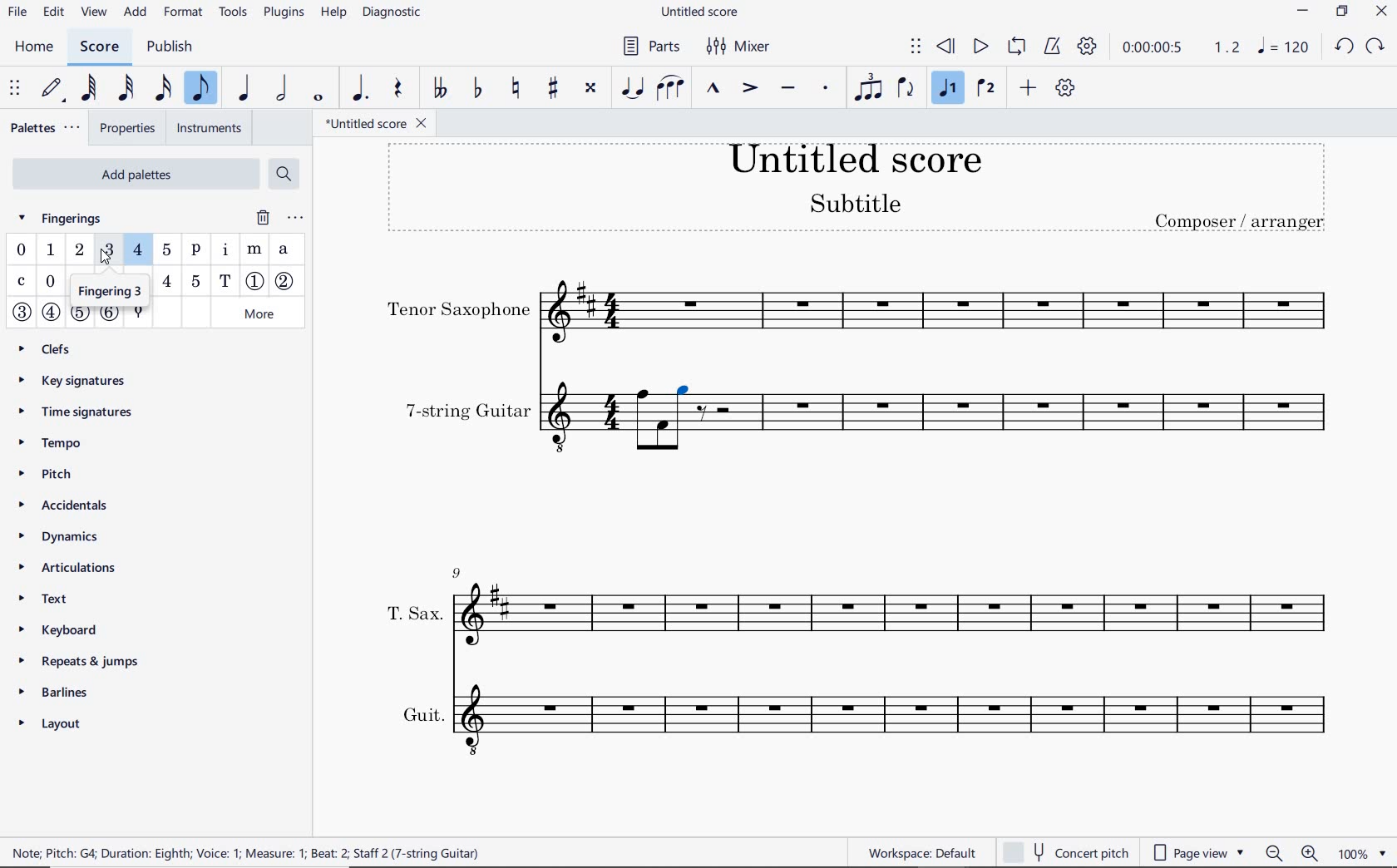 The image size is (1397, 868). Describe the element at coordinates (980, 47) in the screenshot. I see `PLAY` at that location.